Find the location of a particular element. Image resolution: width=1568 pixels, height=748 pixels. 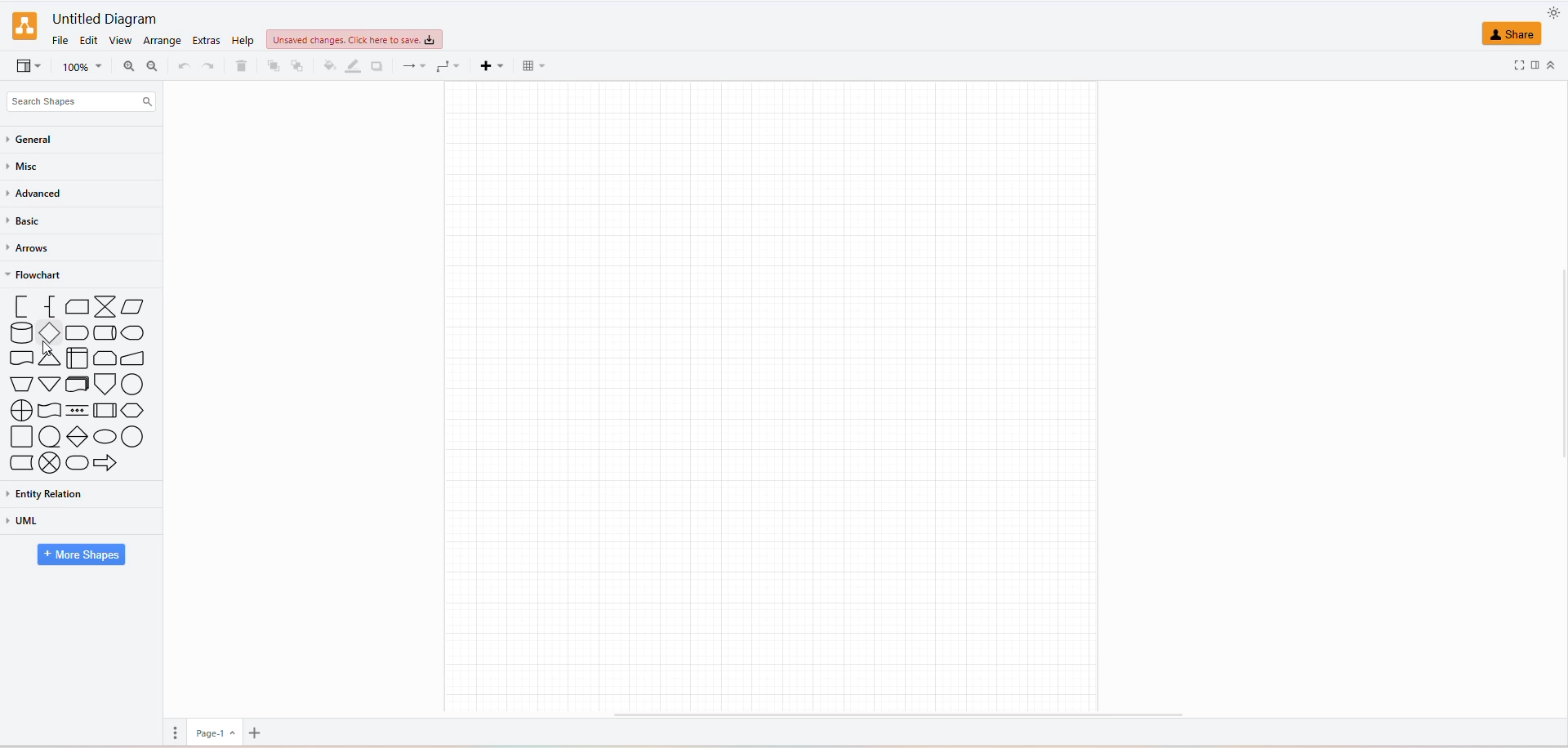

INSERT is located at coordinates (487, 67).